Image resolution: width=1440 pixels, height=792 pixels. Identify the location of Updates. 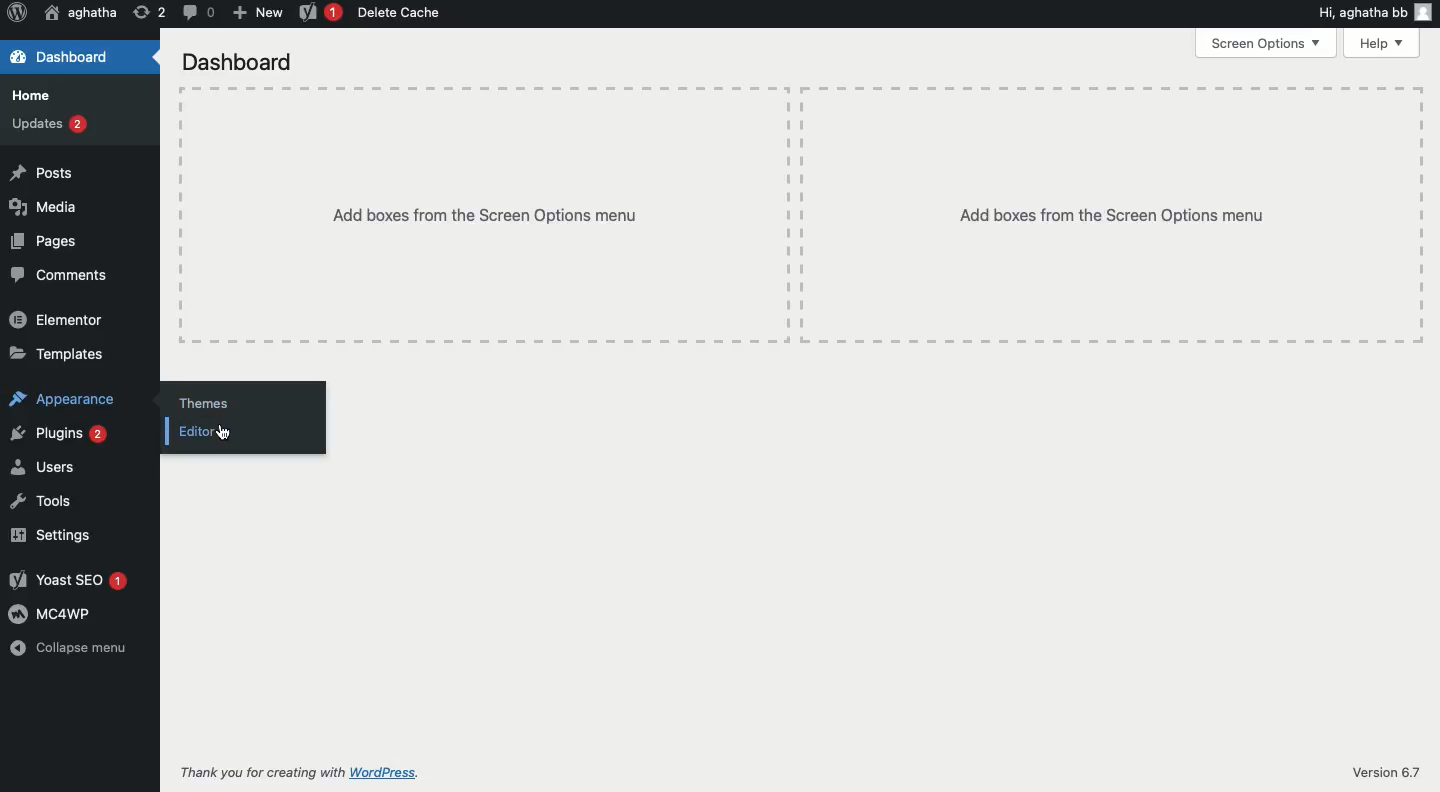
(48, 123).